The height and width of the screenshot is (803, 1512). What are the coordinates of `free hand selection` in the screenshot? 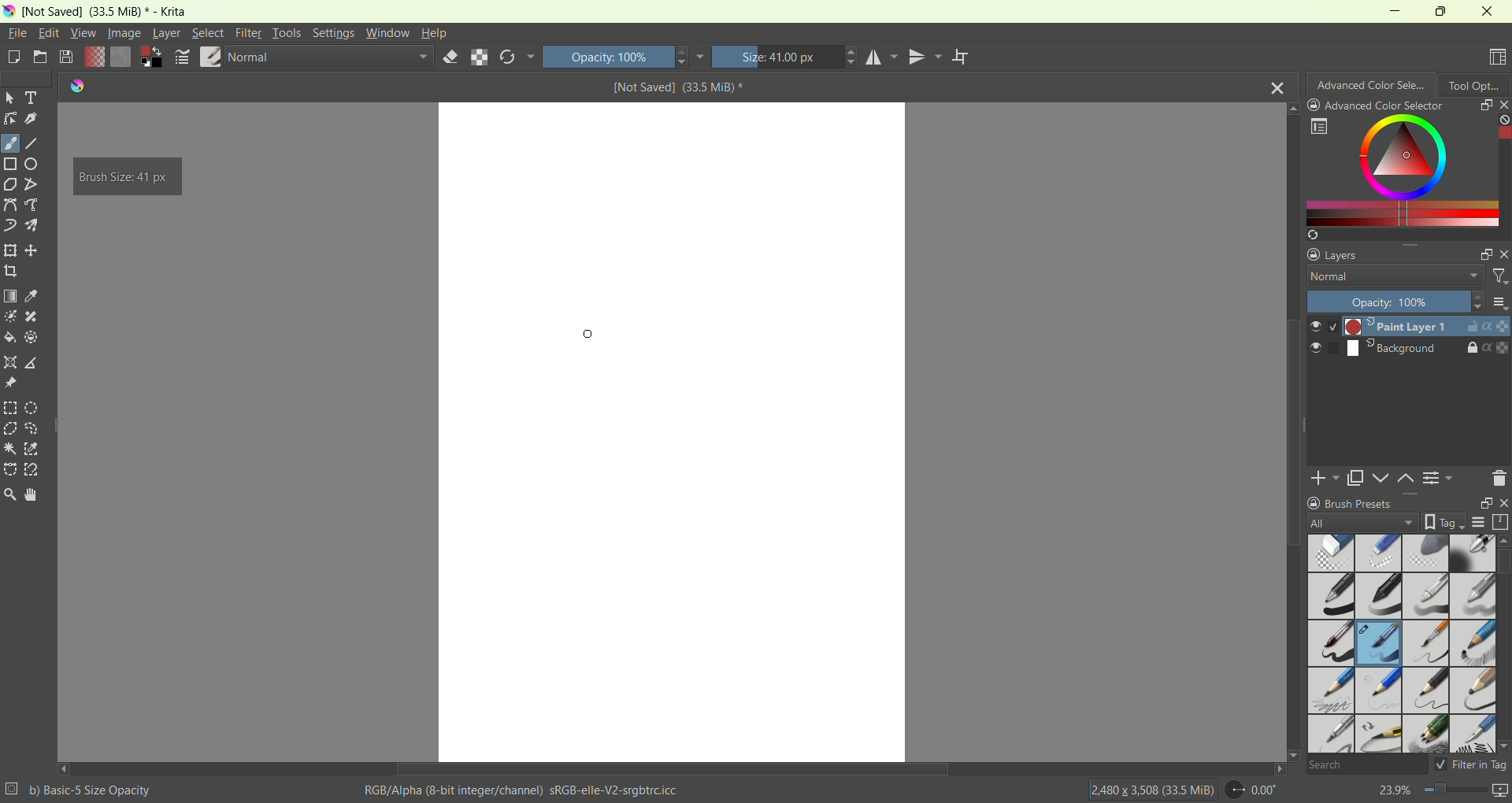 It's located at (36, 428).